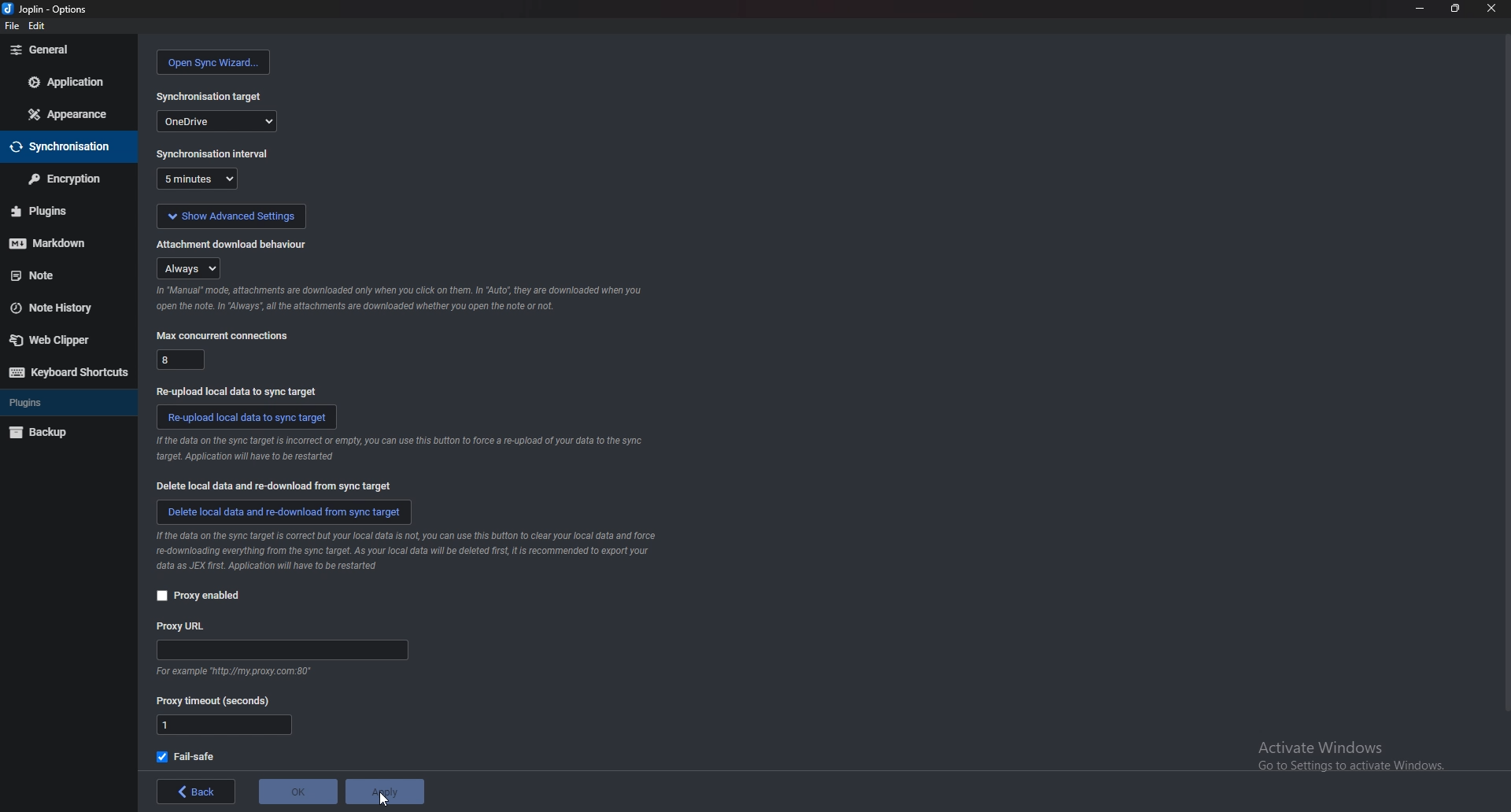 This screenshot has width=1511, height=812. Describe the element at coordinates (63, 403) in the screenshot. I see `plugins` at that location.